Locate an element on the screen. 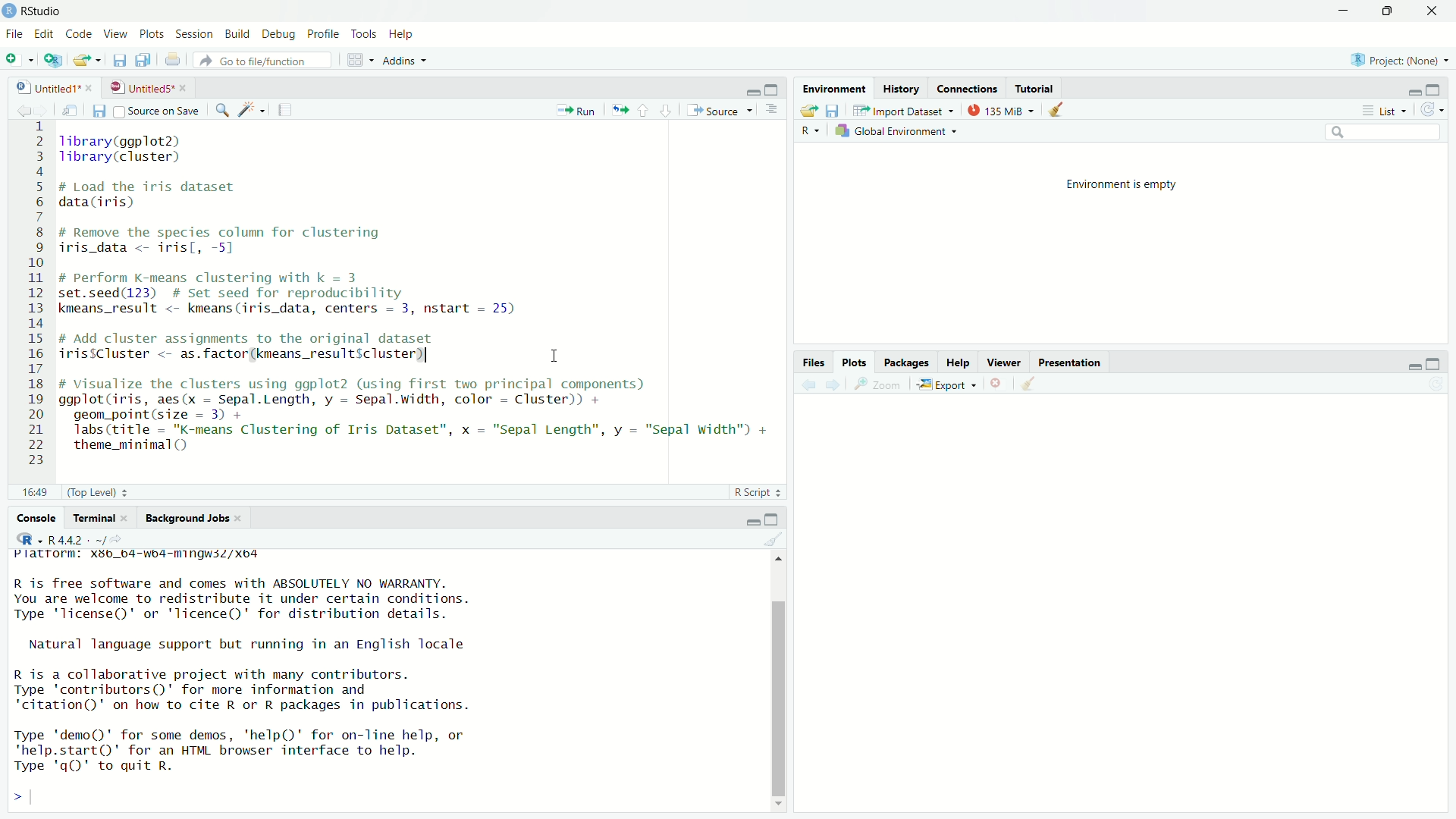 The width and height of the screenshot is (1456, 819). create a project is located at coordinates (53, 60).